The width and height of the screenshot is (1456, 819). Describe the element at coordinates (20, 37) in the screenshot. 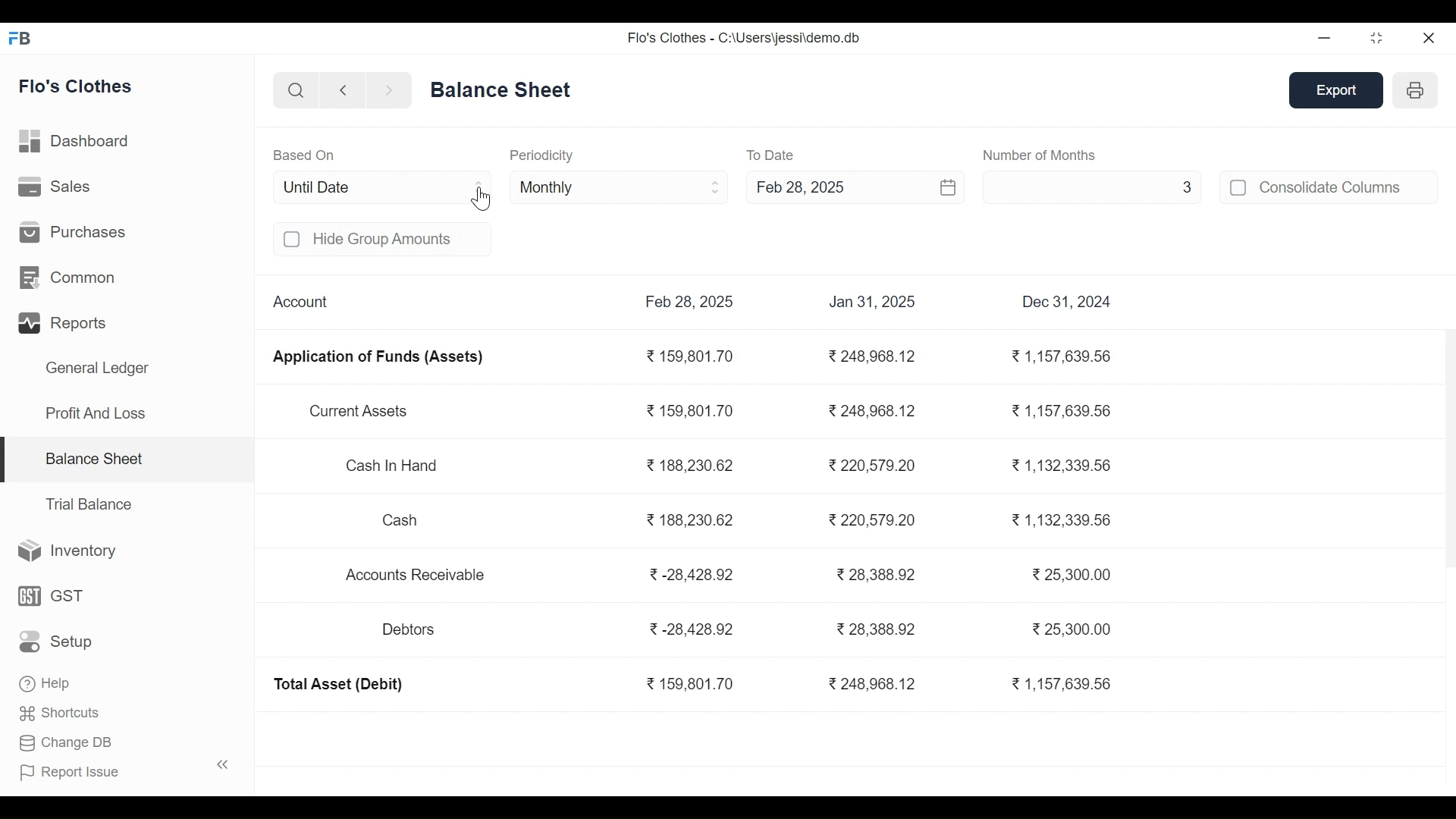

I see `FB logo` at that location.